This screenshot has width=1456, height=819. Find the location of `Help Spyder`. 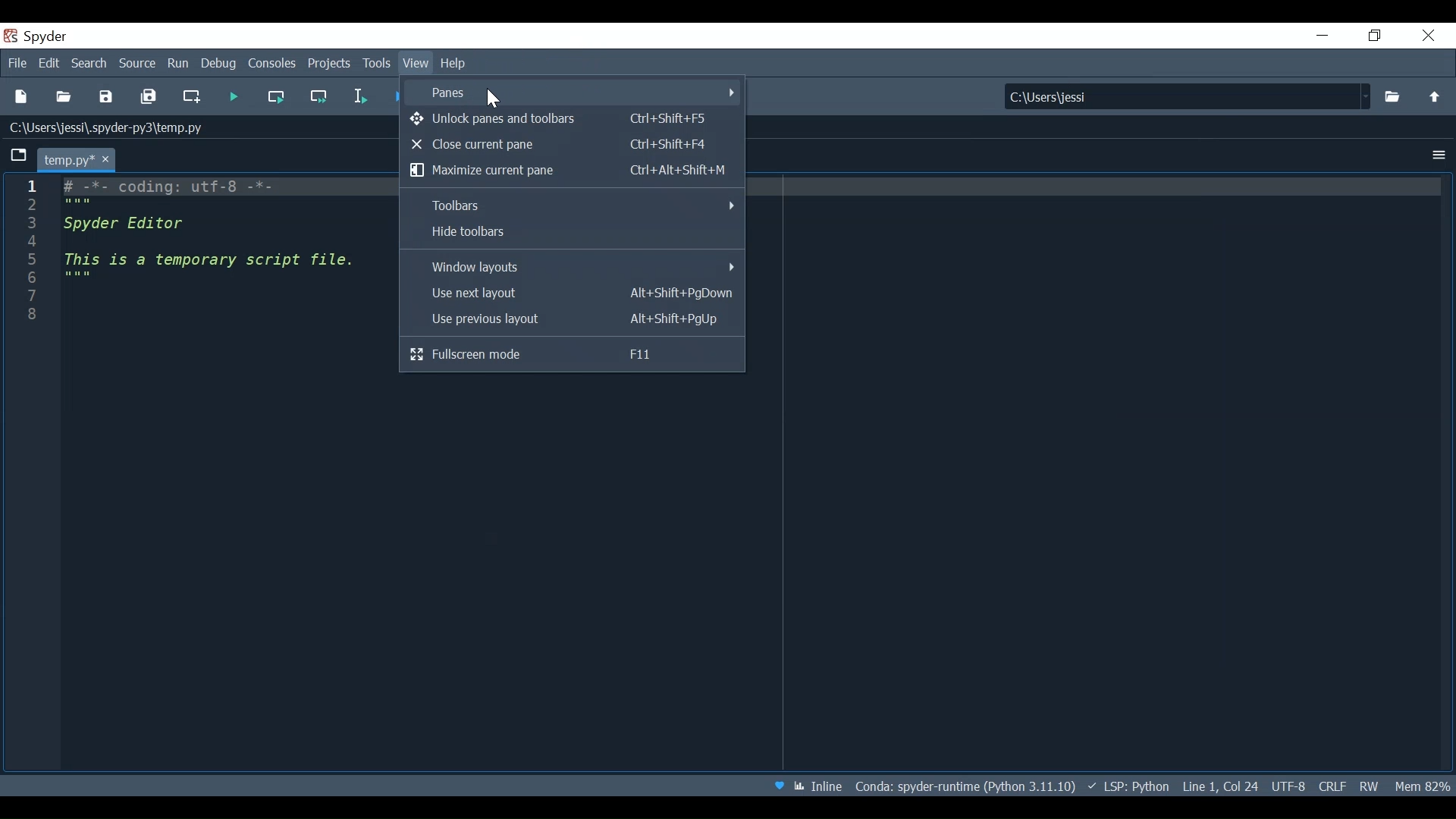

Help Spyder is located at coordinates (777, 786).